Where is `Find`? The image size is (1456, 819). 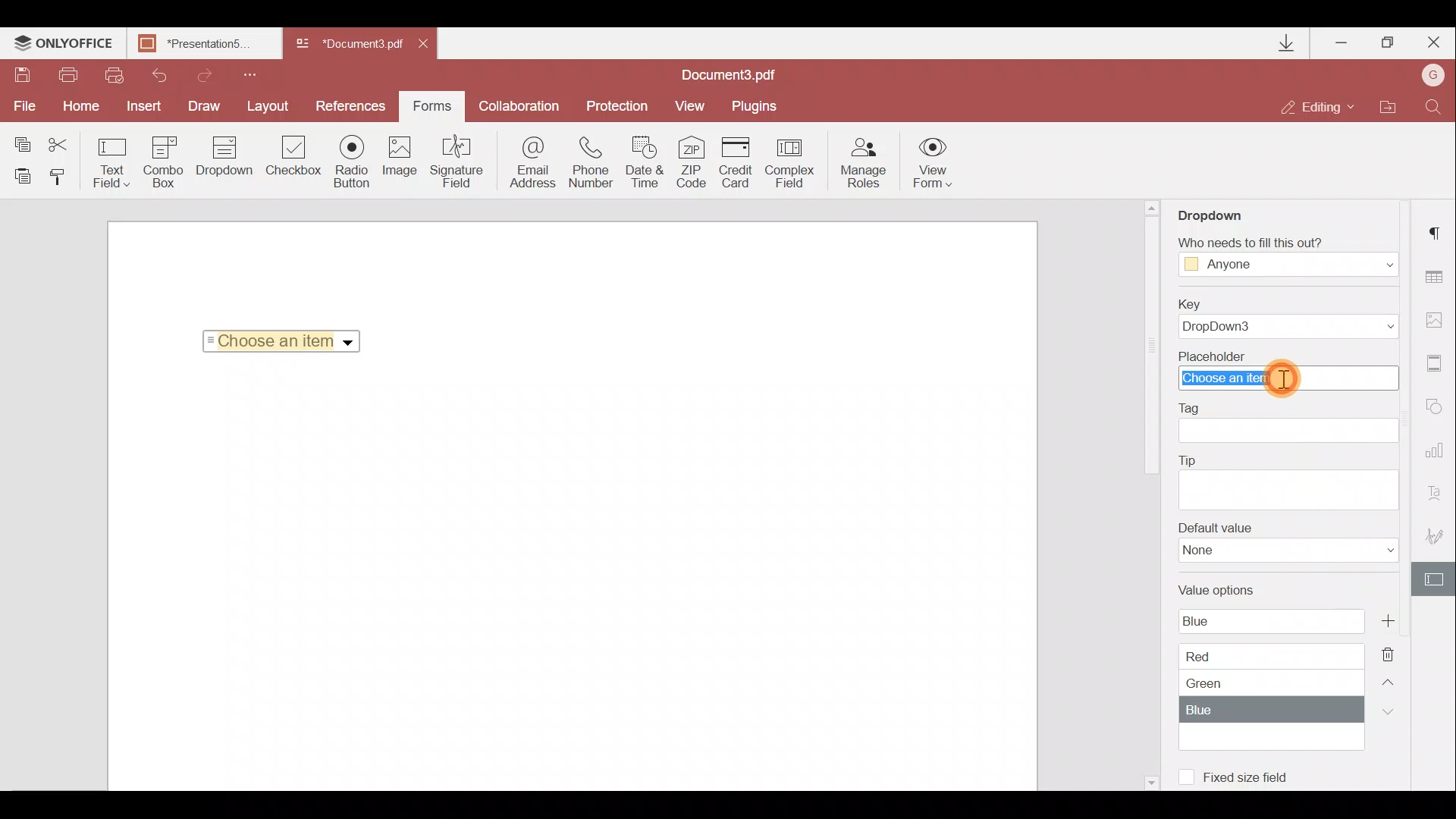
Find is located at coordinates (1436, 106).